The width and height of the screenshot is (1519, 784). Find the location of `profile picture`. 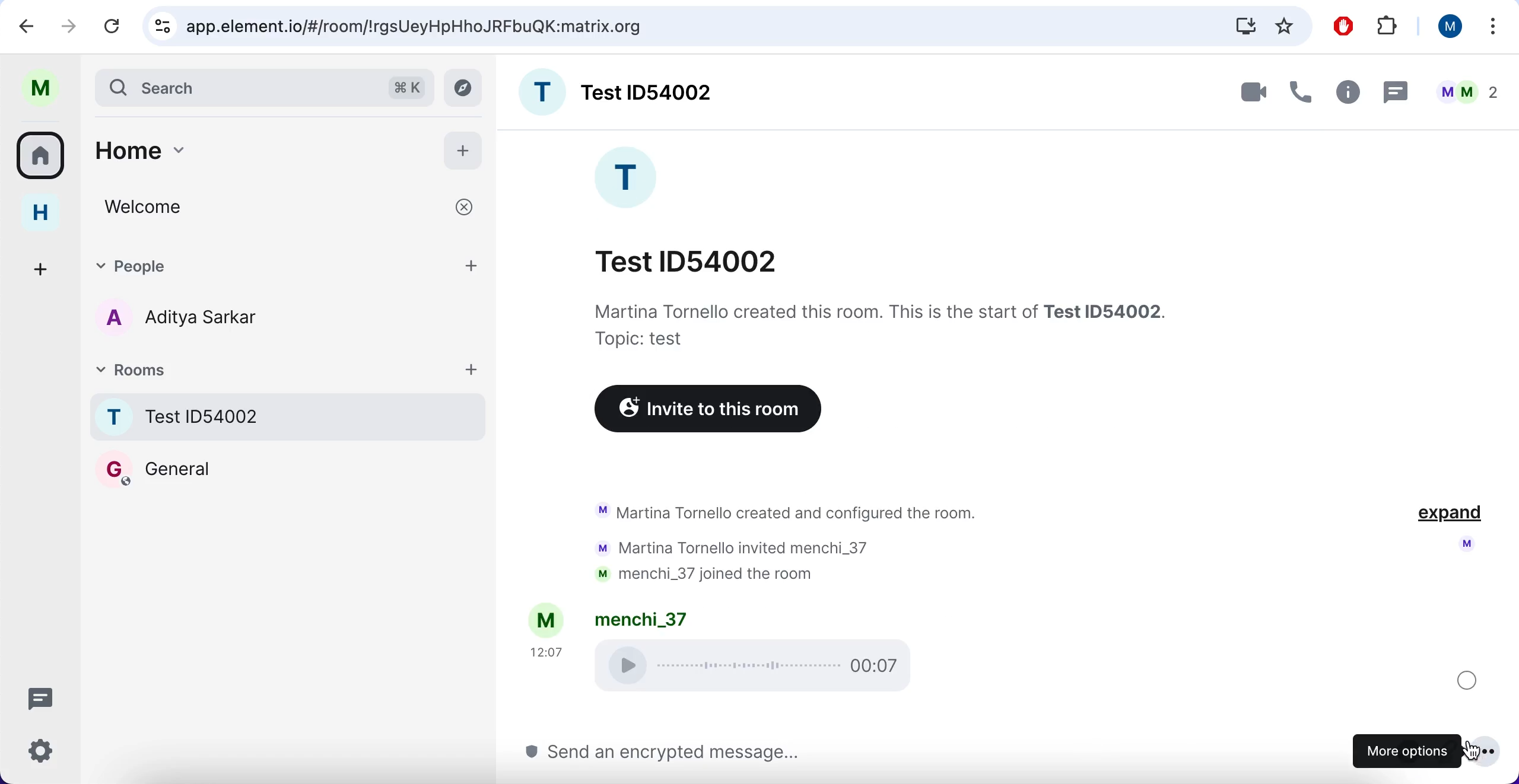

profile picture is located at coordinates (631, 178).